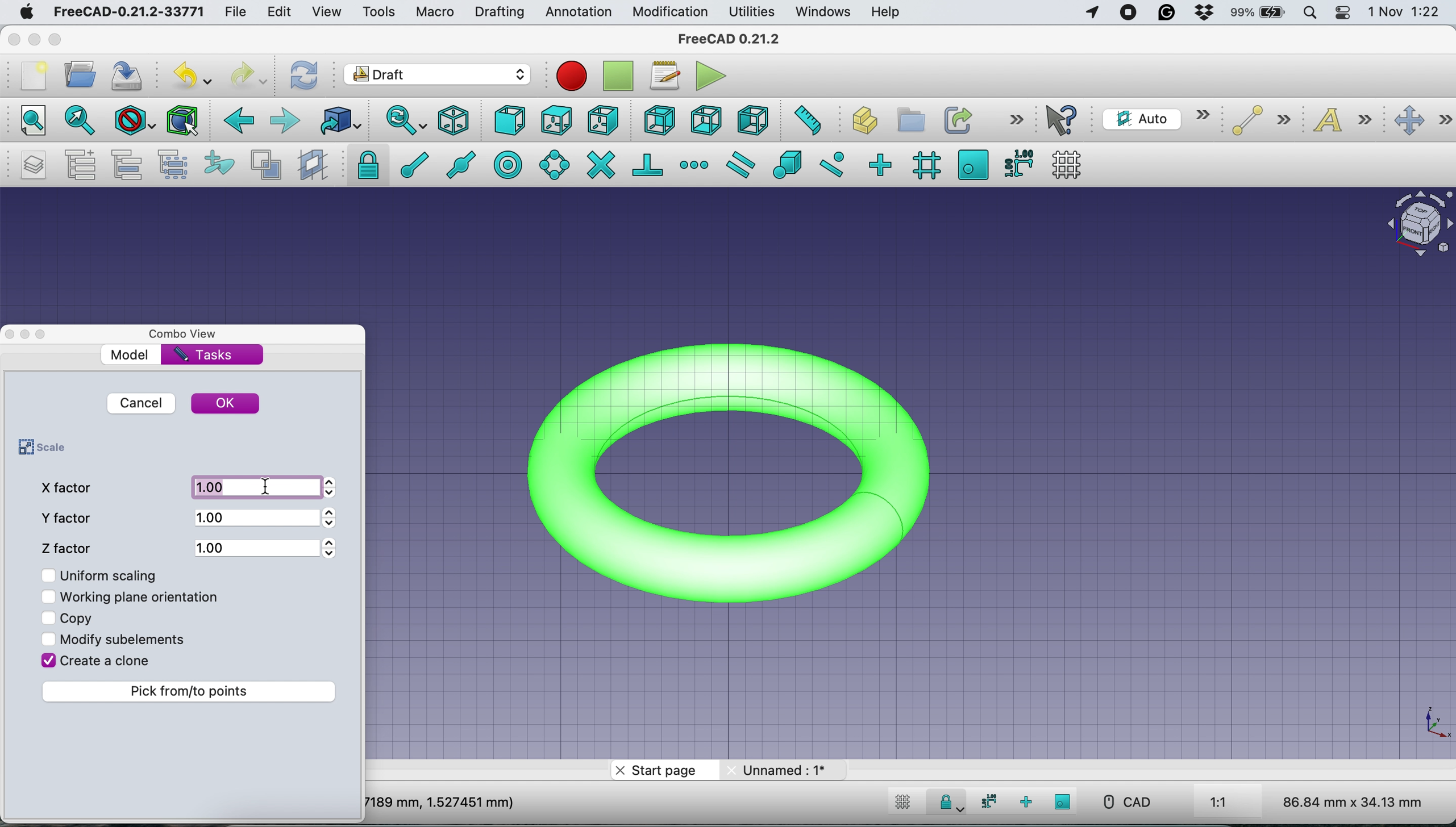 This screenshot has height=827, width=1456. I want to click on model, so click(131, 354).